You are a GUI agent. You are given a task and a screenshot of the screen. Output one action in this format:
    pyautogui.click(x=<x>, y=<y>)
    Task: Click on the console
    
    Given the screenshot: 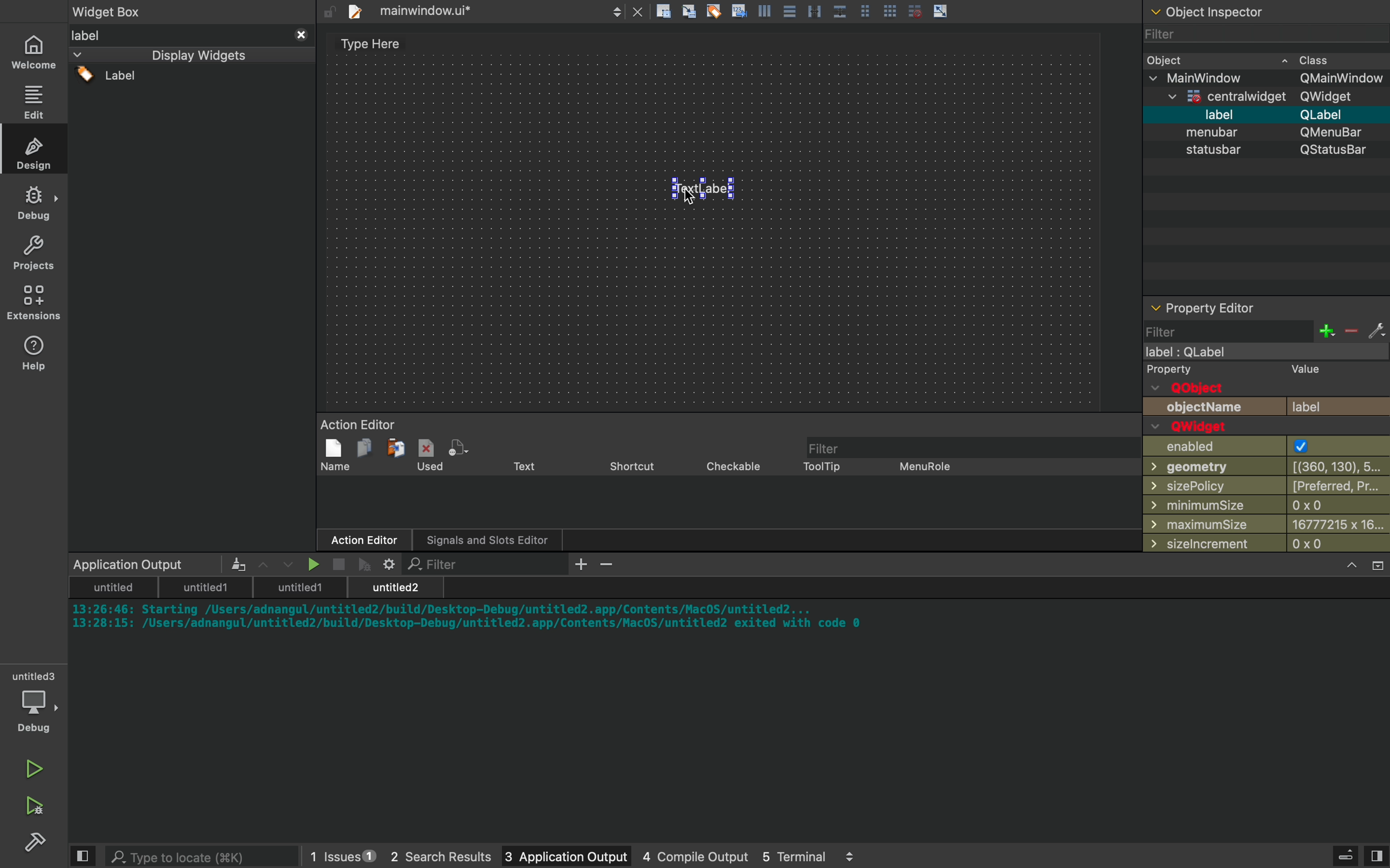 What is the action you would take?
    pyautogui.click(x=732, y=699)
    